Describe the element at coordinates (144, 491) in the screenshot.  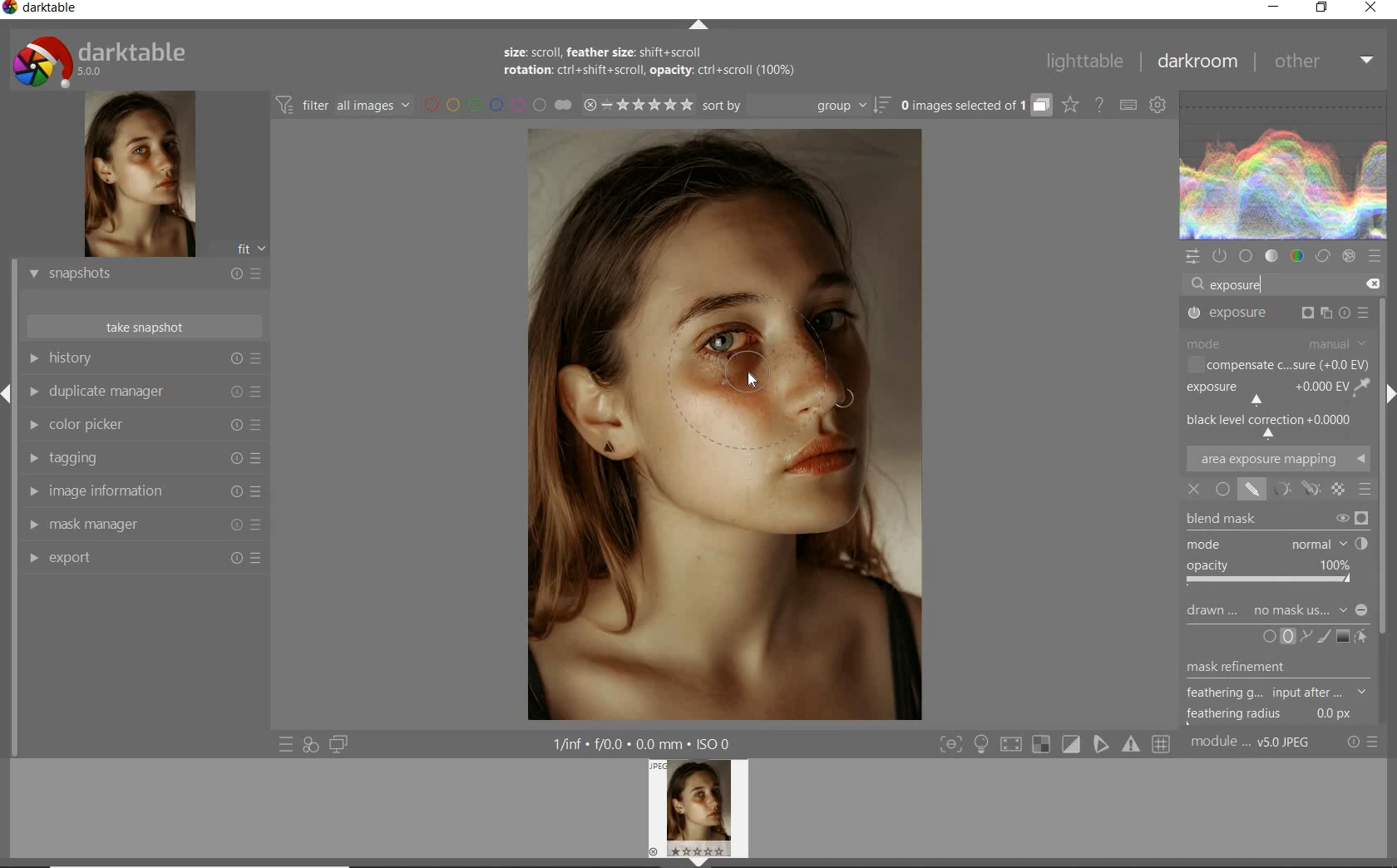
I see `image information` at that location.